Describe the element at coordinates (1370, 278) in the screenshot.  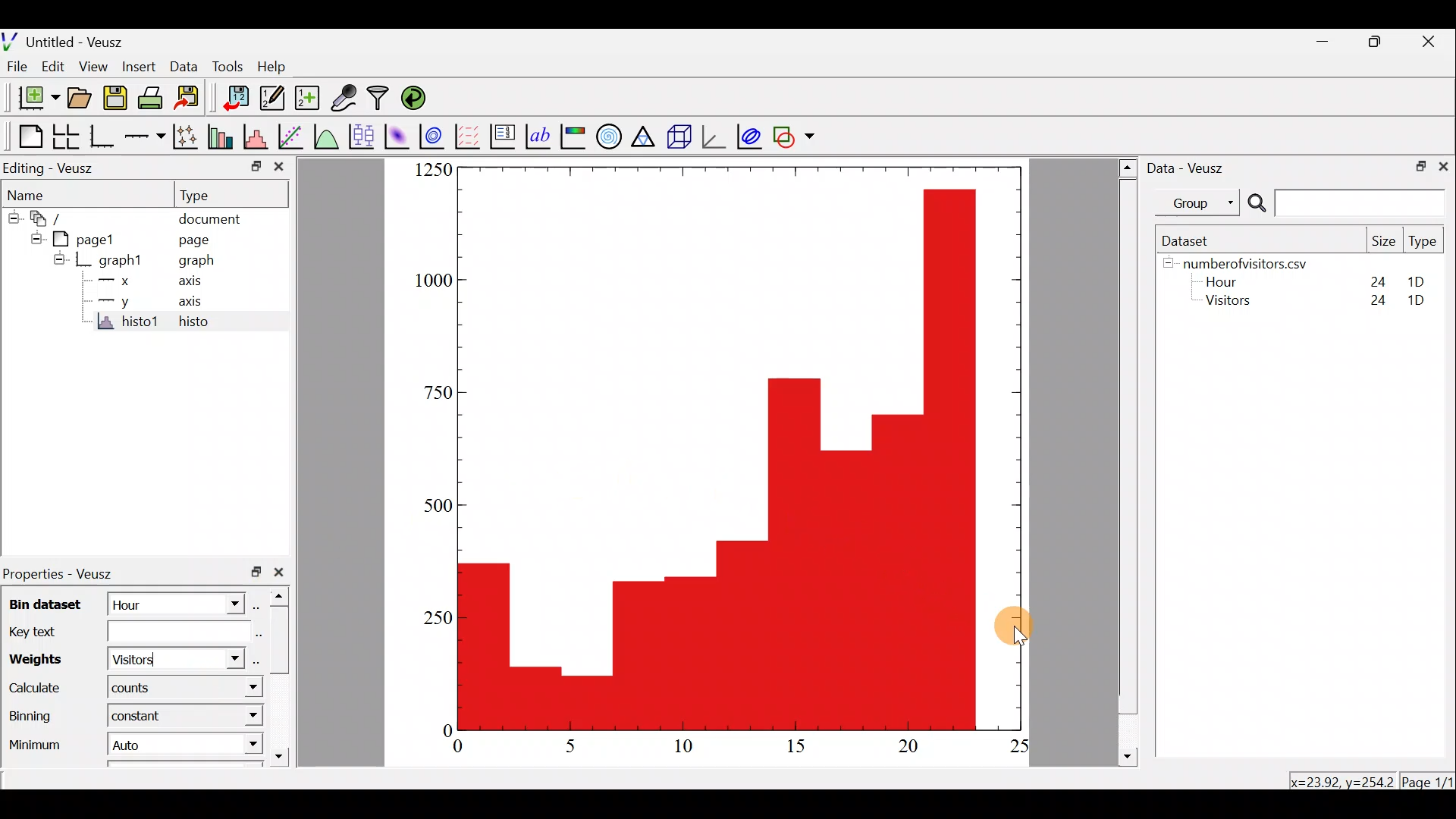
I see `24` at that location.